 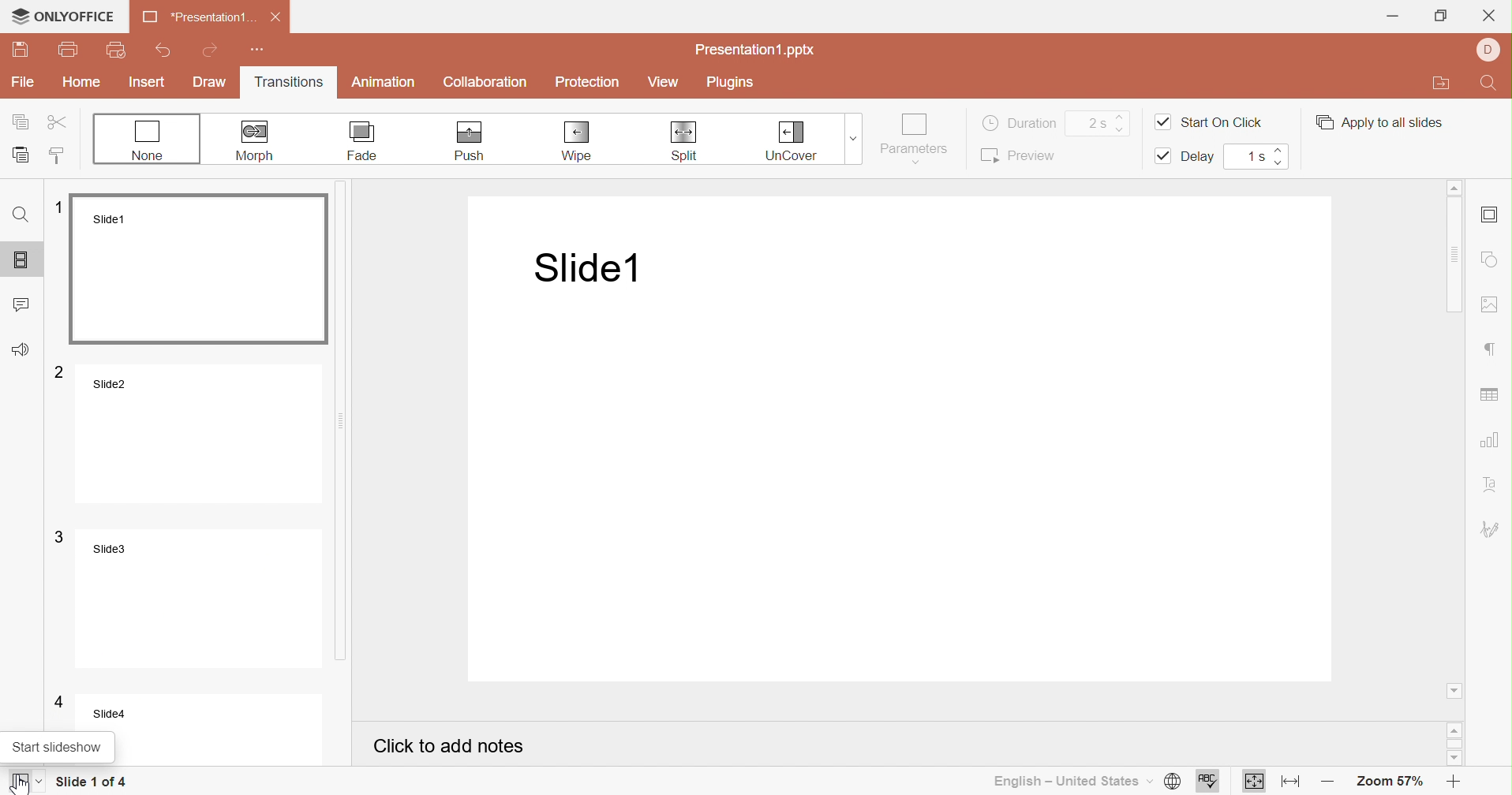 I want to click on Decrease duration, so click(x=1124, y=129).